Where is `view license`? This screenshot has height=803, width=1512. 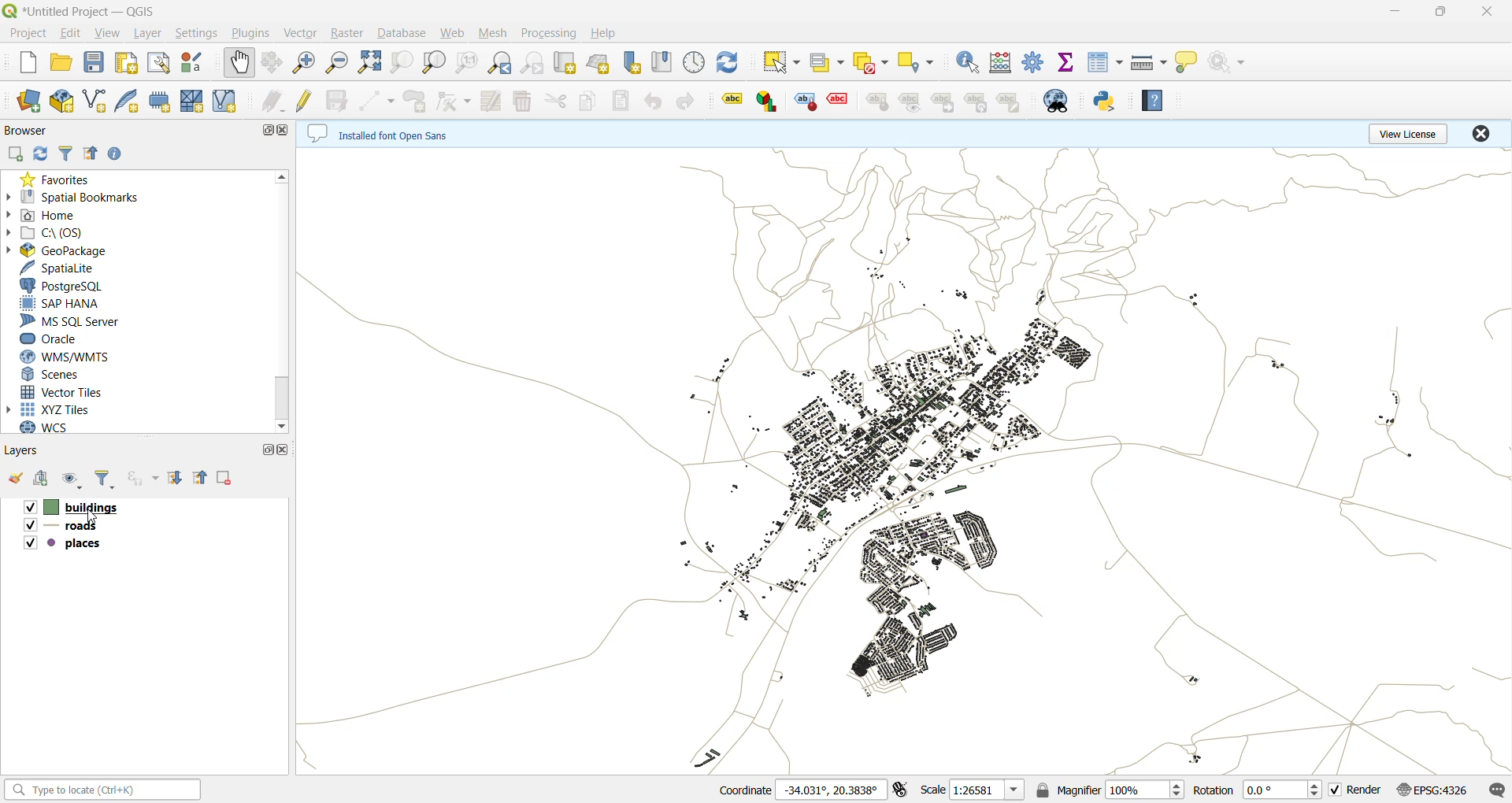
view license is located at coordinates (1411, 132).